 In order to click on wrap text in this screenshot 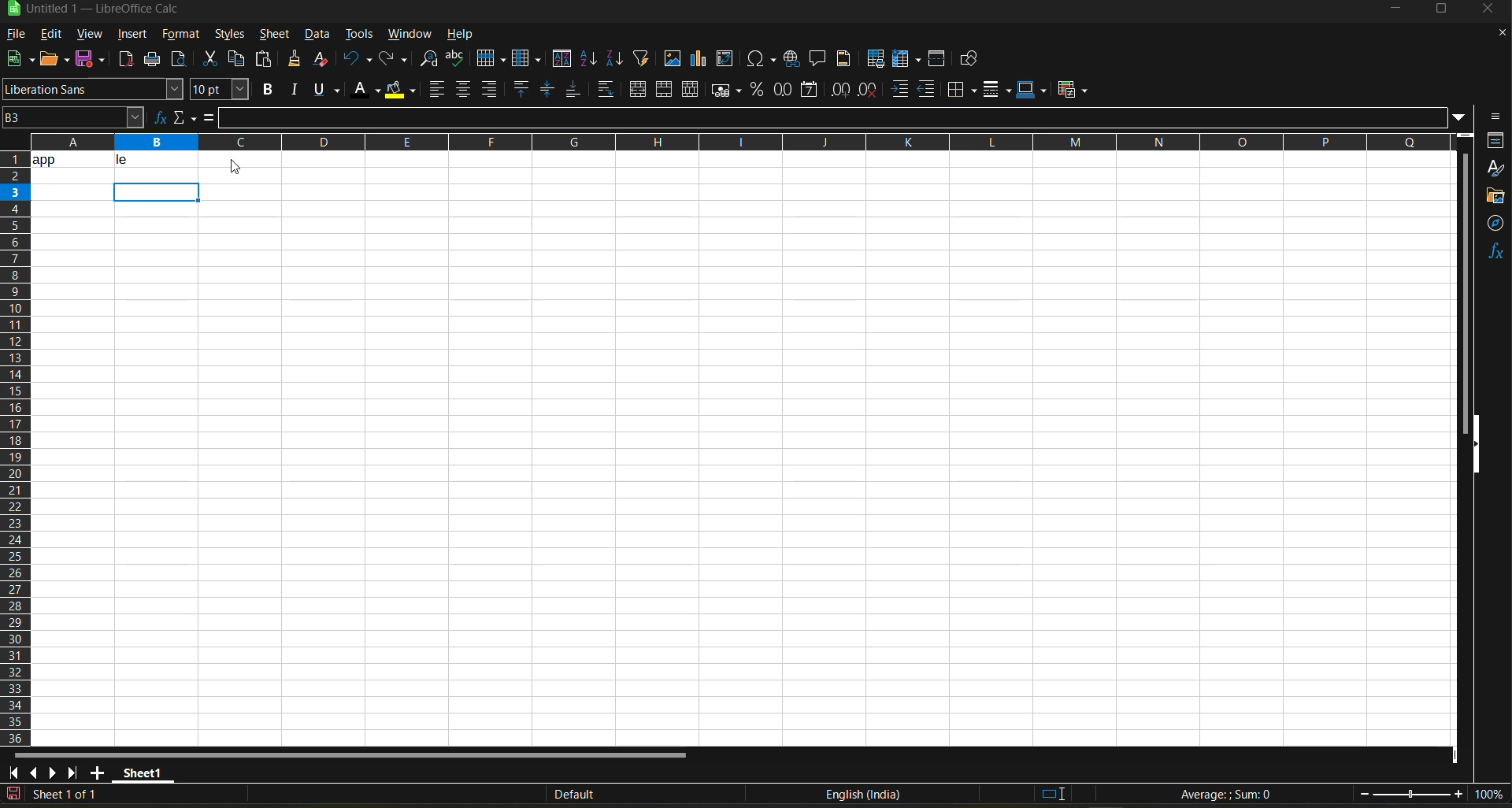, I will do `click(605, 91)`.